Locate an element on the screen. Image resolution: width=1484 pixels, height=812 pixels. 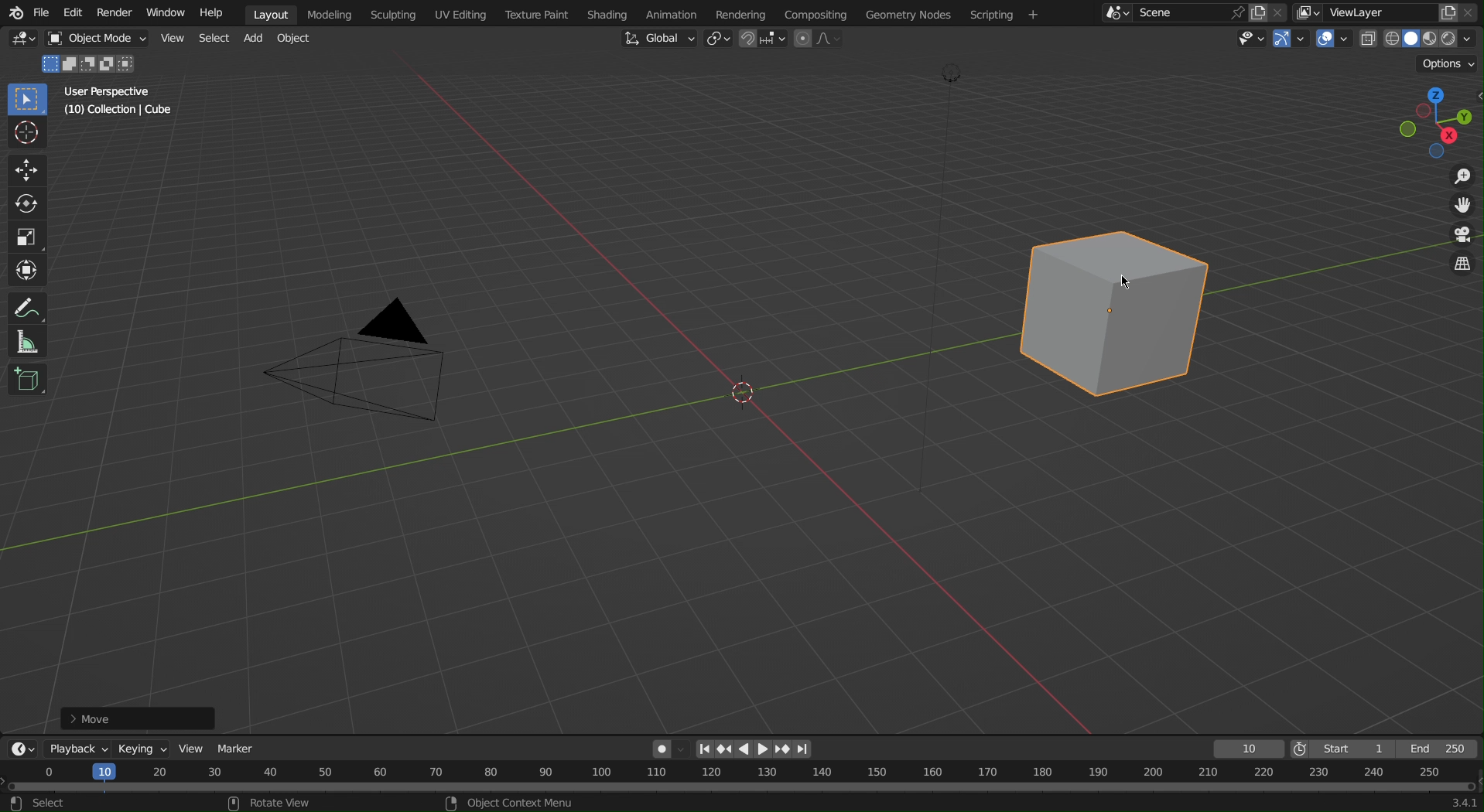
Last page is located at coordinates (805, 750).